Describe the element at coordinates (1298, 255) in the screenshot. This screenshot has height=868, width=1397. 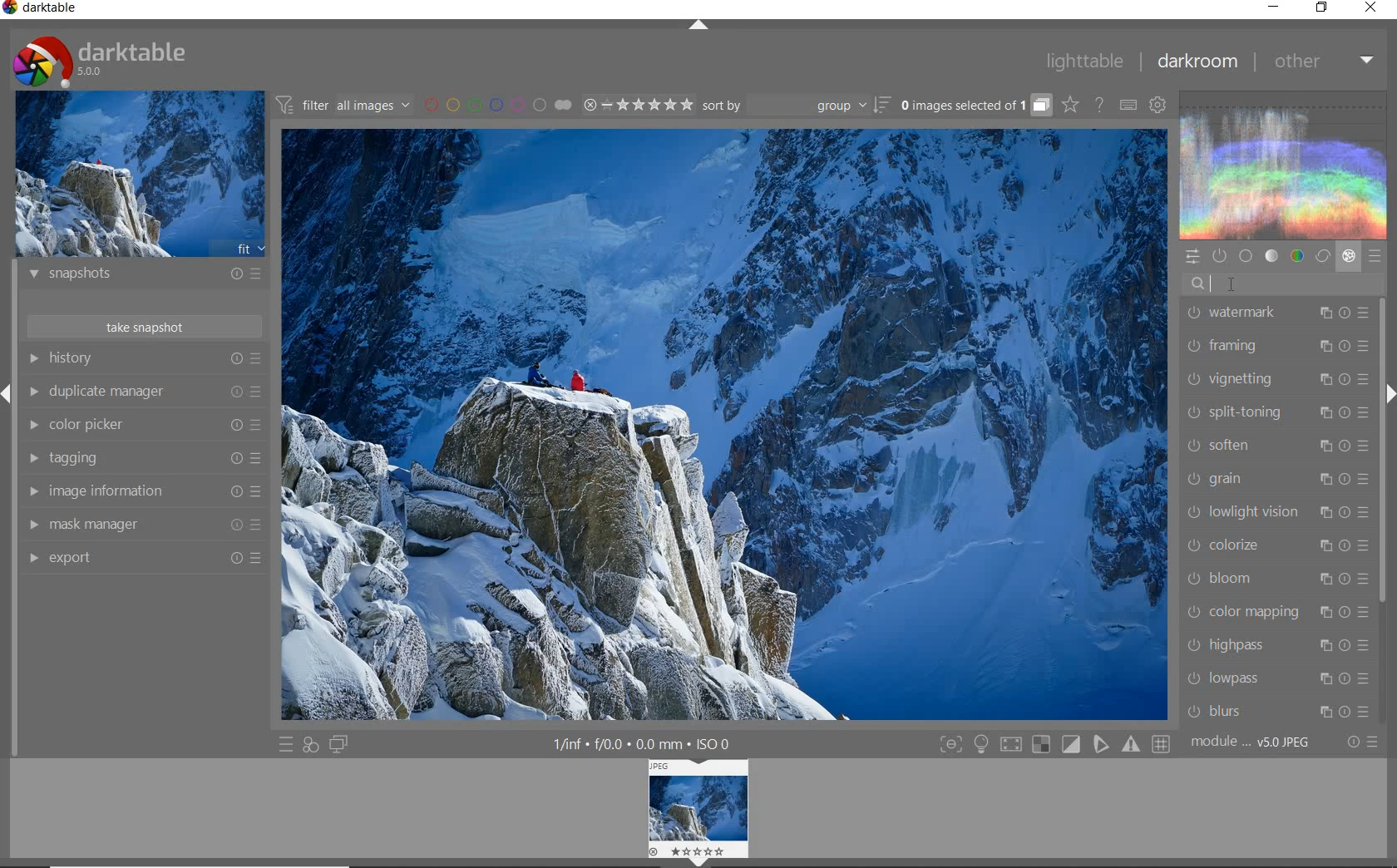
I see `color` at that location.